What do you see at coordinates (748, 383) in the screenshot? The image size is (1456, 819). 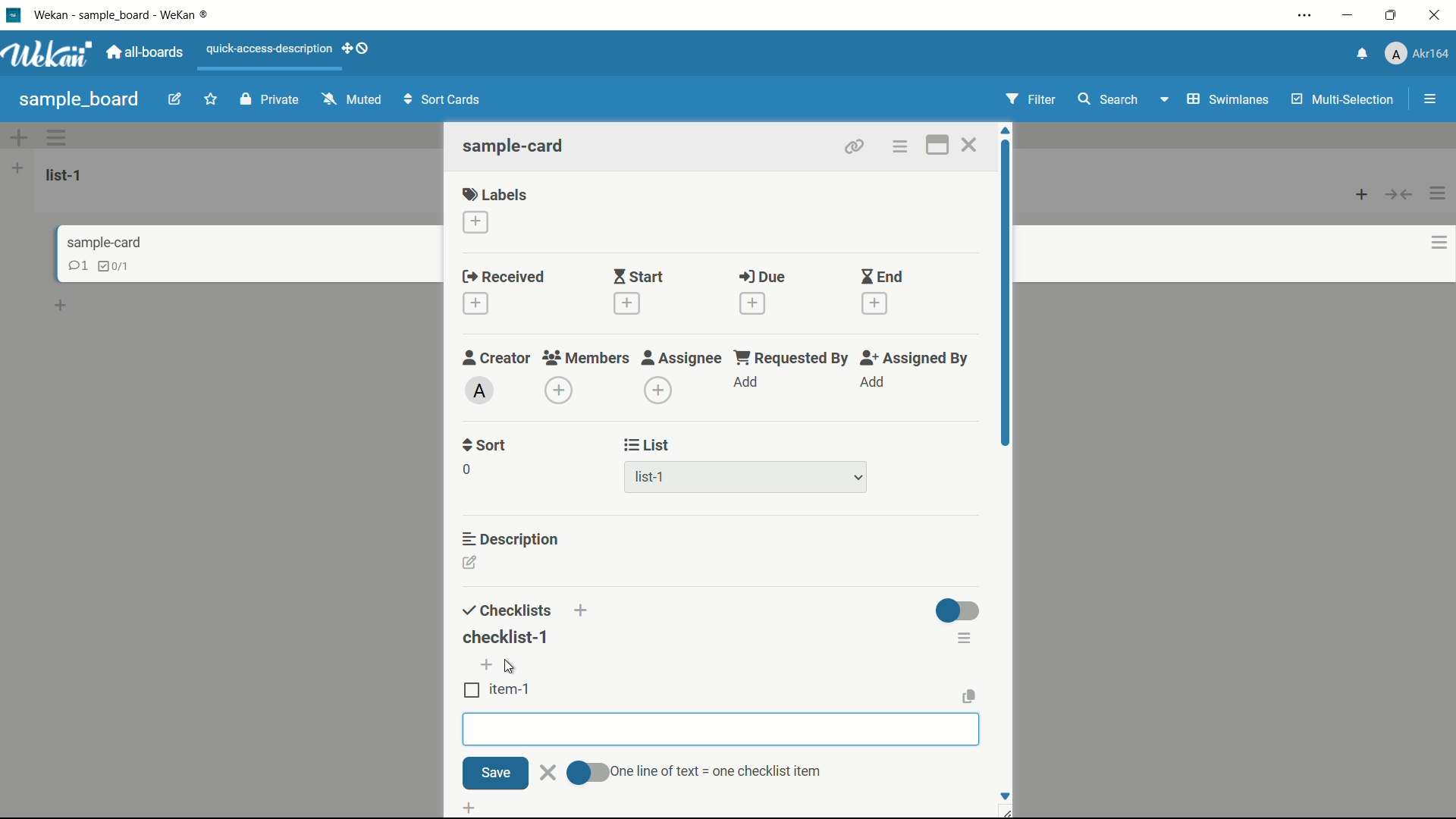 I see `add` at bounding box center [748, 383].